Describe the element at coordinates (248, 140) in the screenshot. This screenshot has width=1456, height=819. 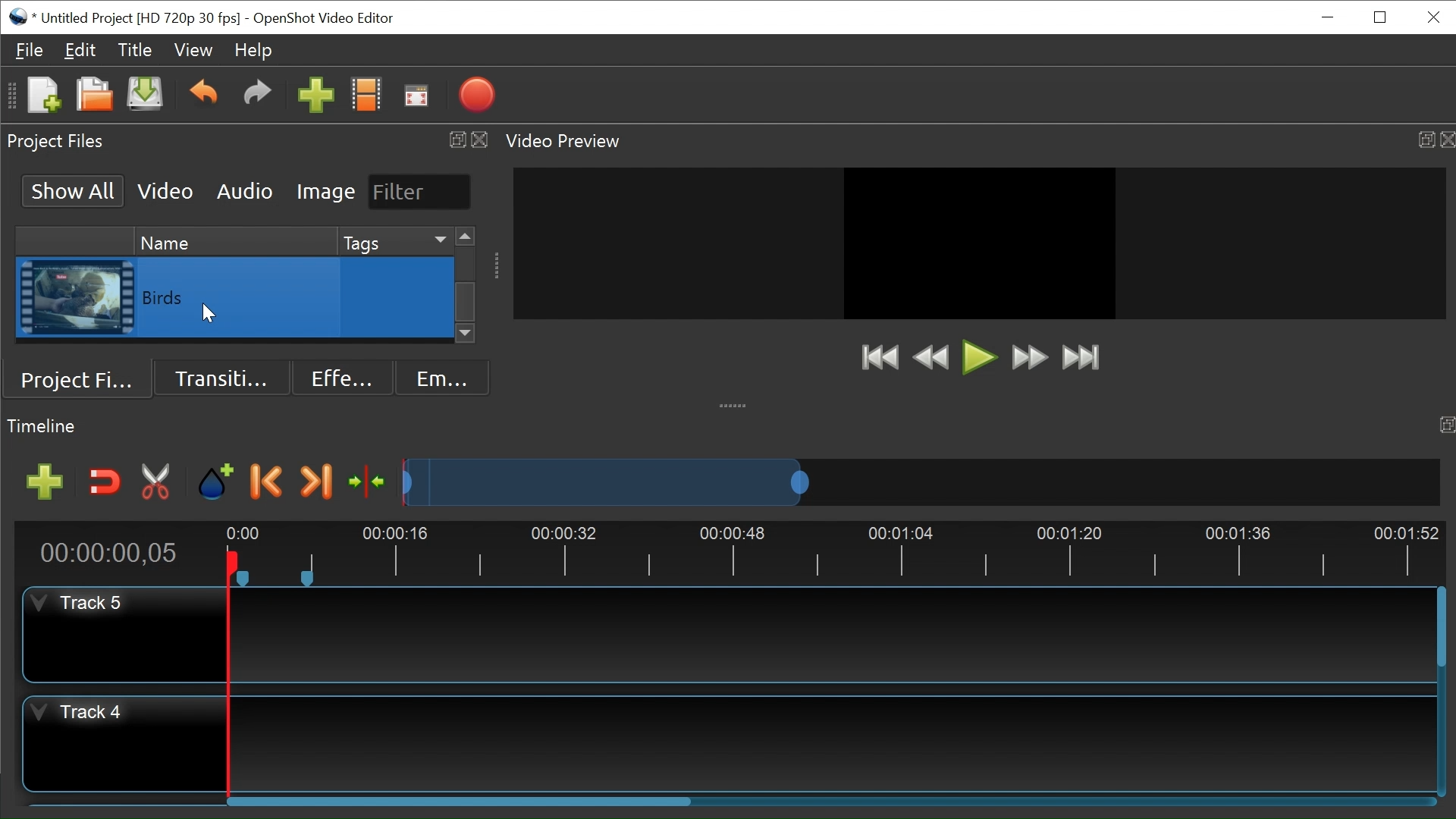
I see `Project Files` at that location.